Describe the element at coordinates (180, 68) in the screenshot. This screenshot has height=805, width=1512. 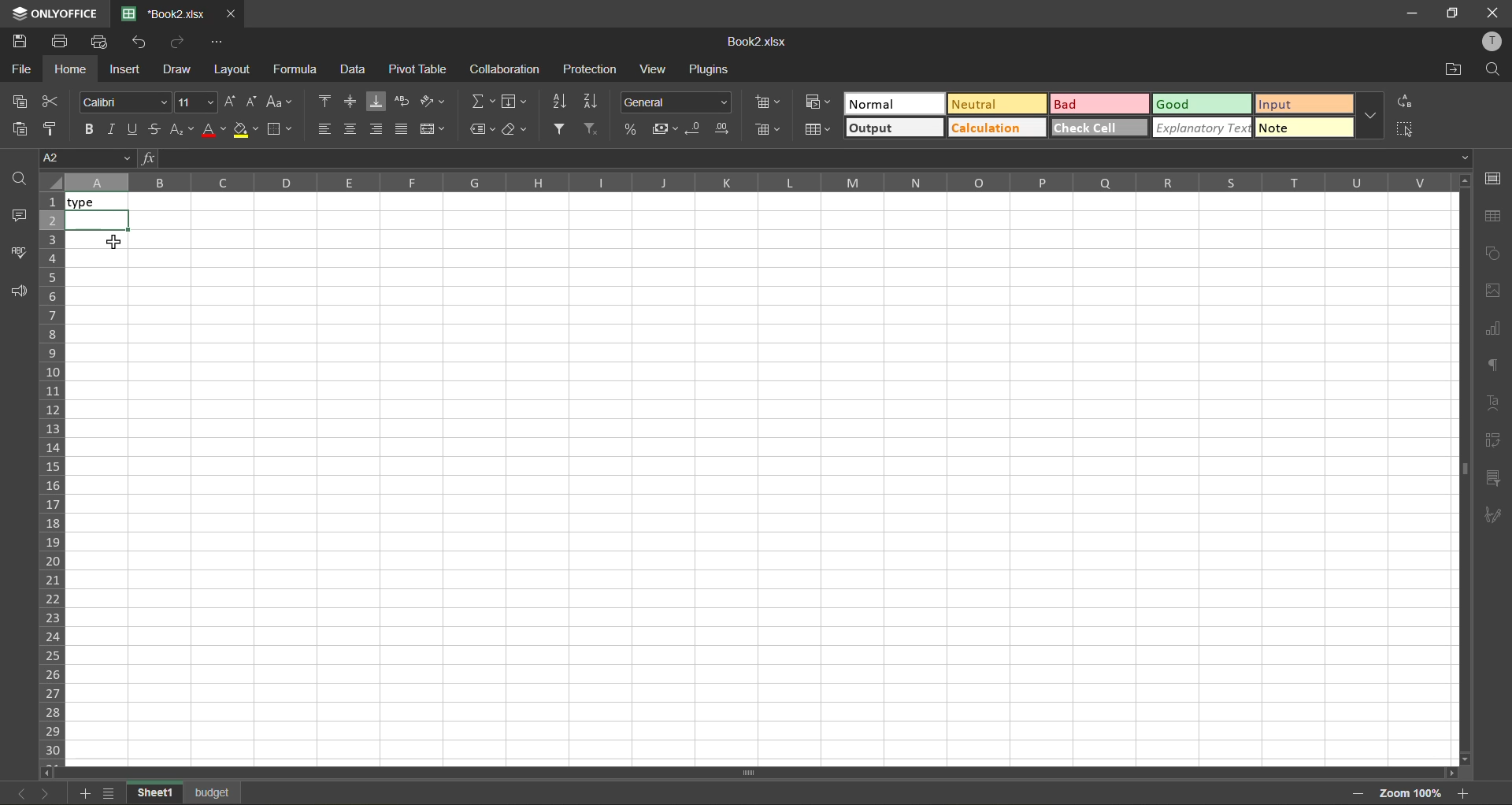
I see `draw` at that location.